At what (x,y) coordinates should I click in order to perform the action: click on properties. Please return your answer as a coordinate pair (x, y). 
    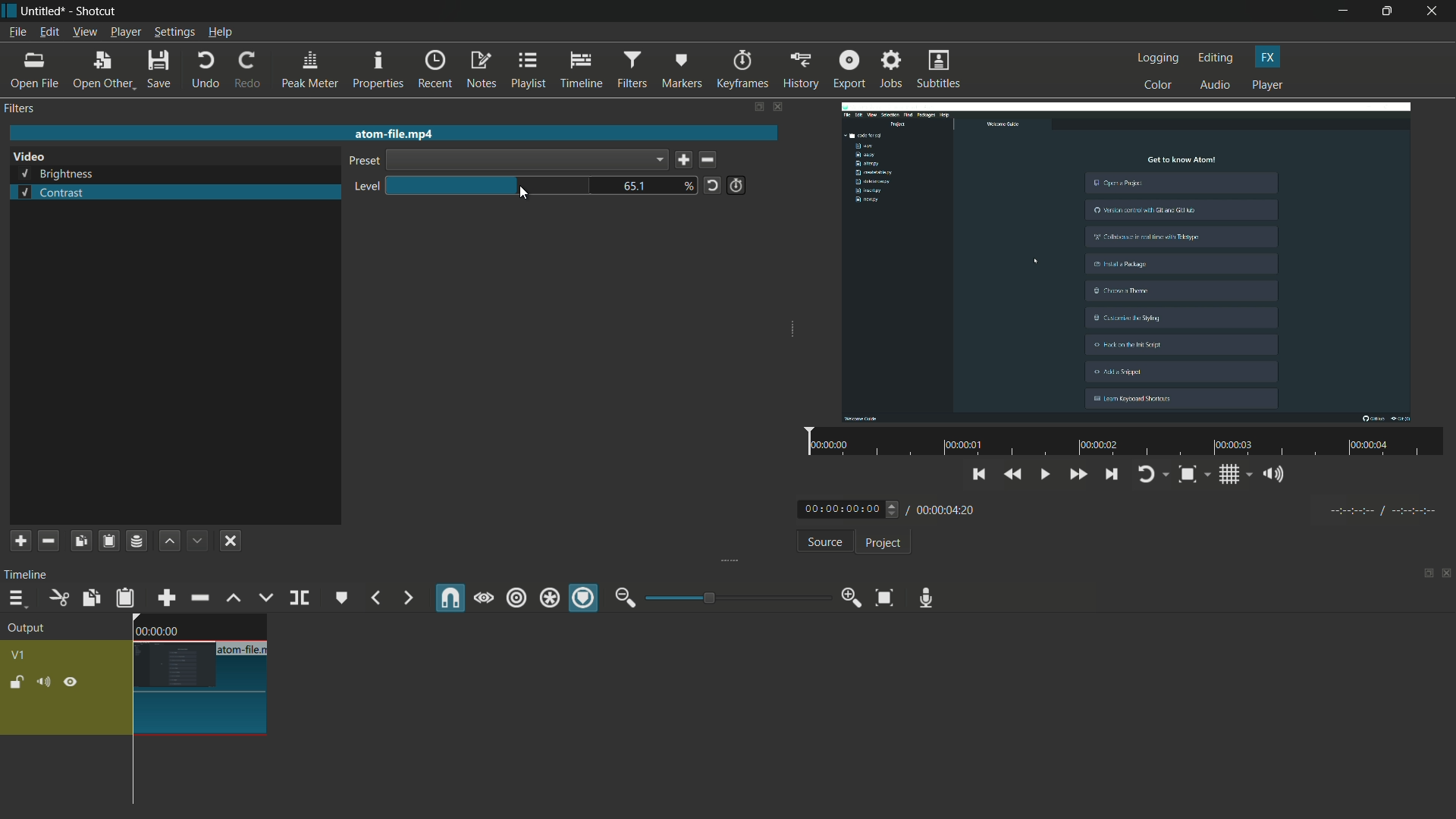
    Looking at the image, I should click on (378, 71).